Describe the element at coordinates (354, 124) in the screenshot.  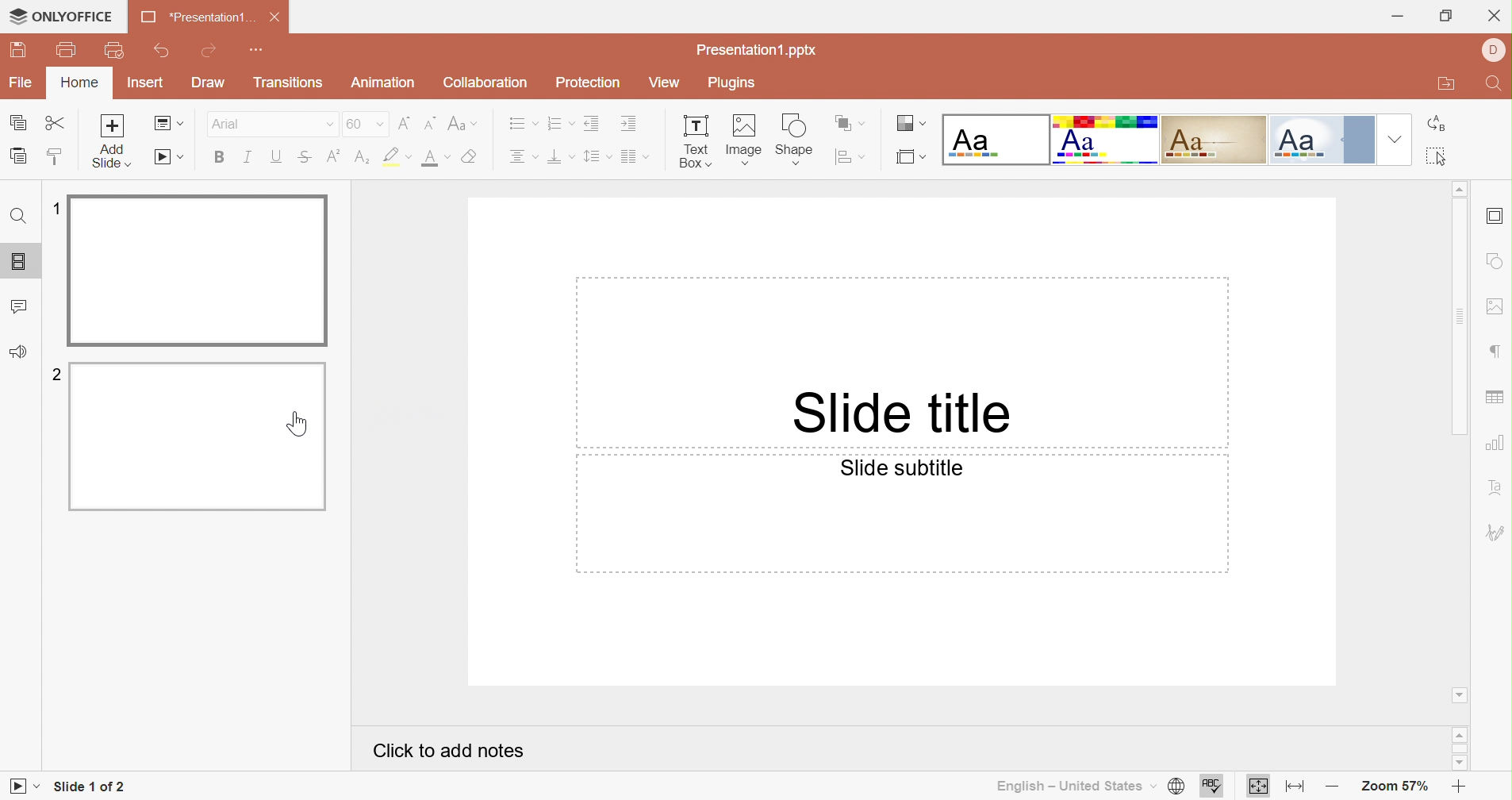
I see `60` at that location.